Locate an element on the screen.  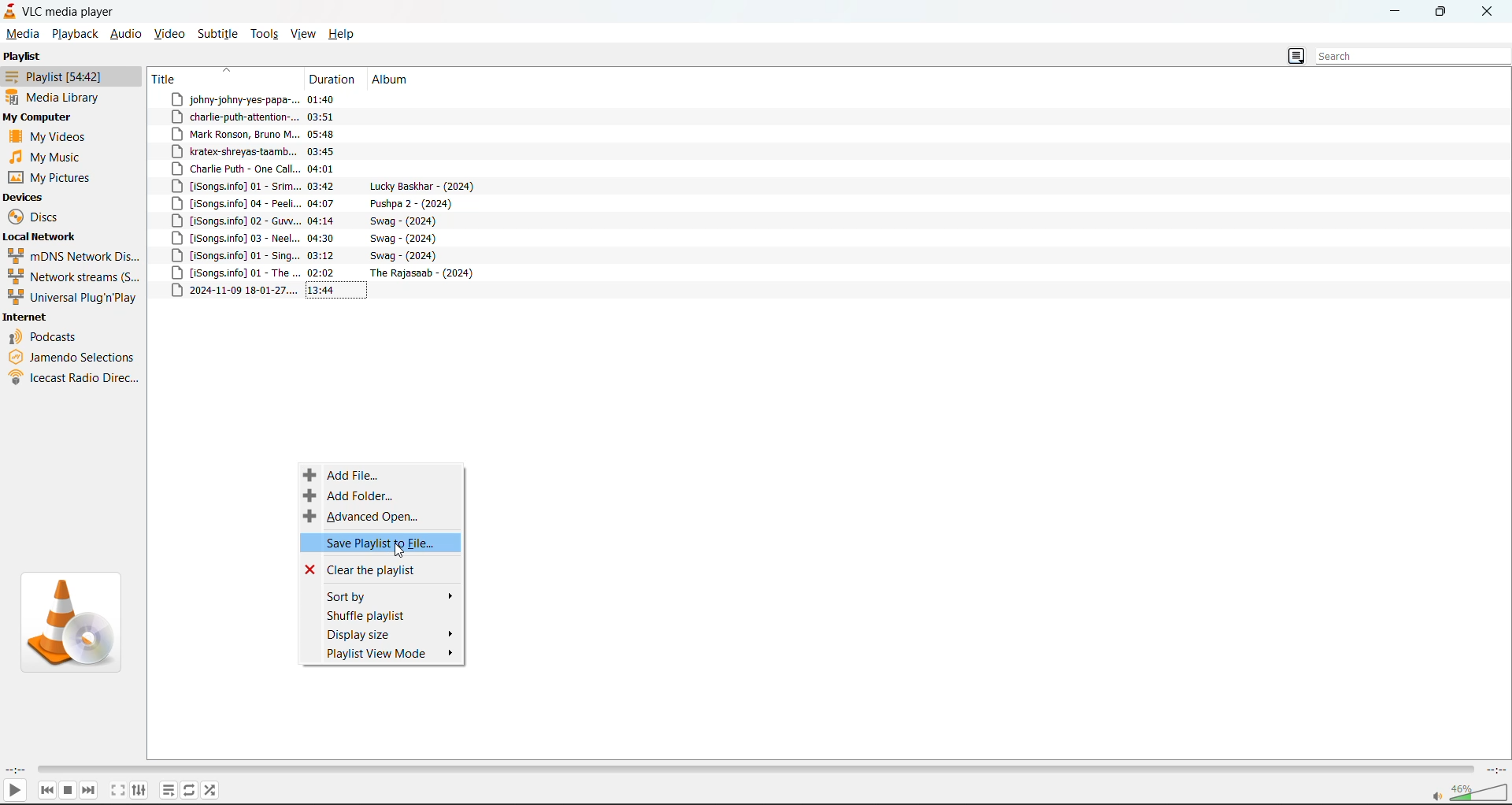
maximize is located at coordinates (1440, 13).